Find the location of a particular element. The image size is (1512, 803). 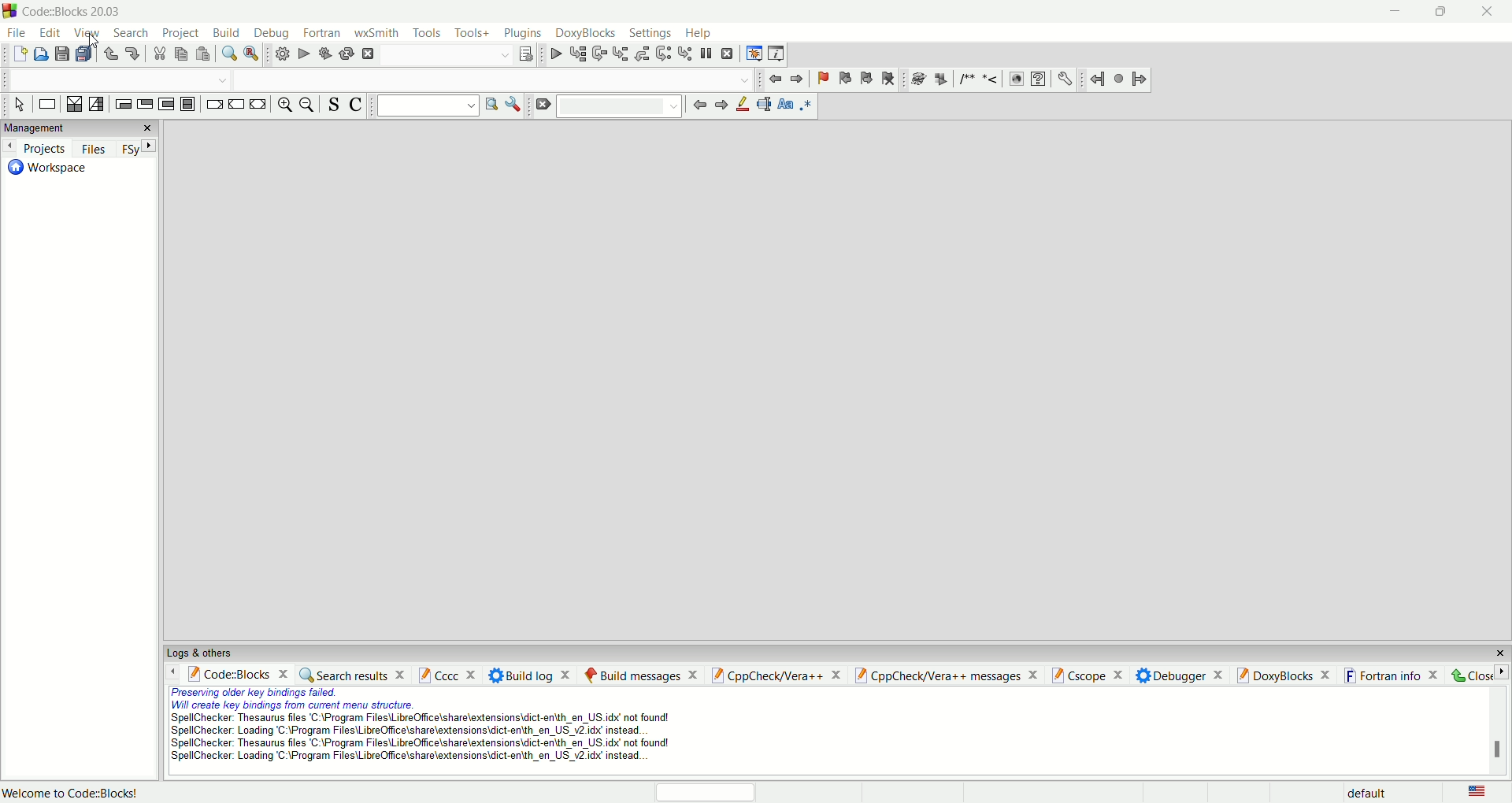

view is located at coordinates (87, 34).